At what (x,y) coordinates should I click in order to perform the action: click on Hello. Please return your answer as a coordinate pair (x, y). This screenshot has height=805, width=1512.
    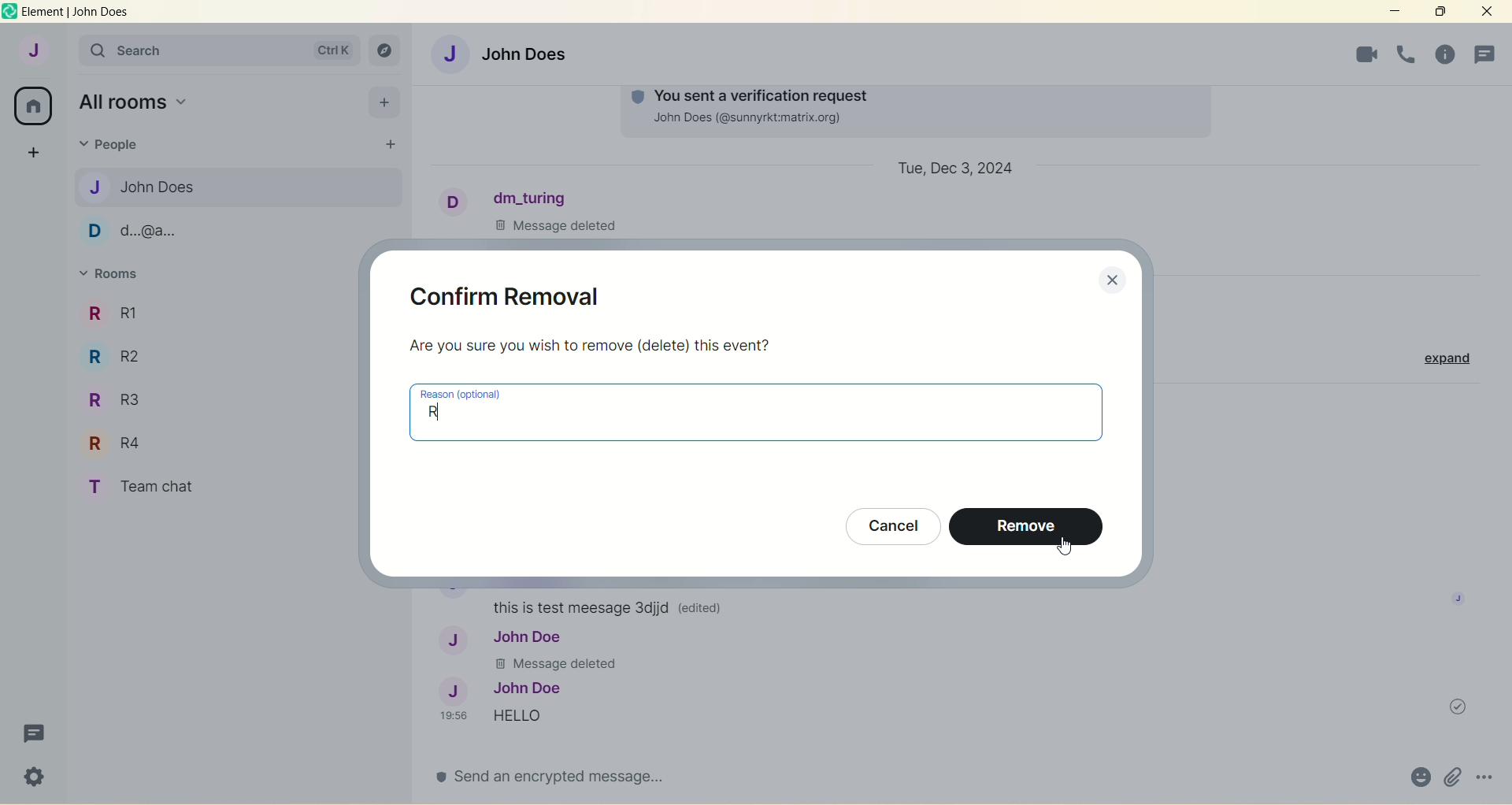
    Looking at the image, I should click on (547, 716).